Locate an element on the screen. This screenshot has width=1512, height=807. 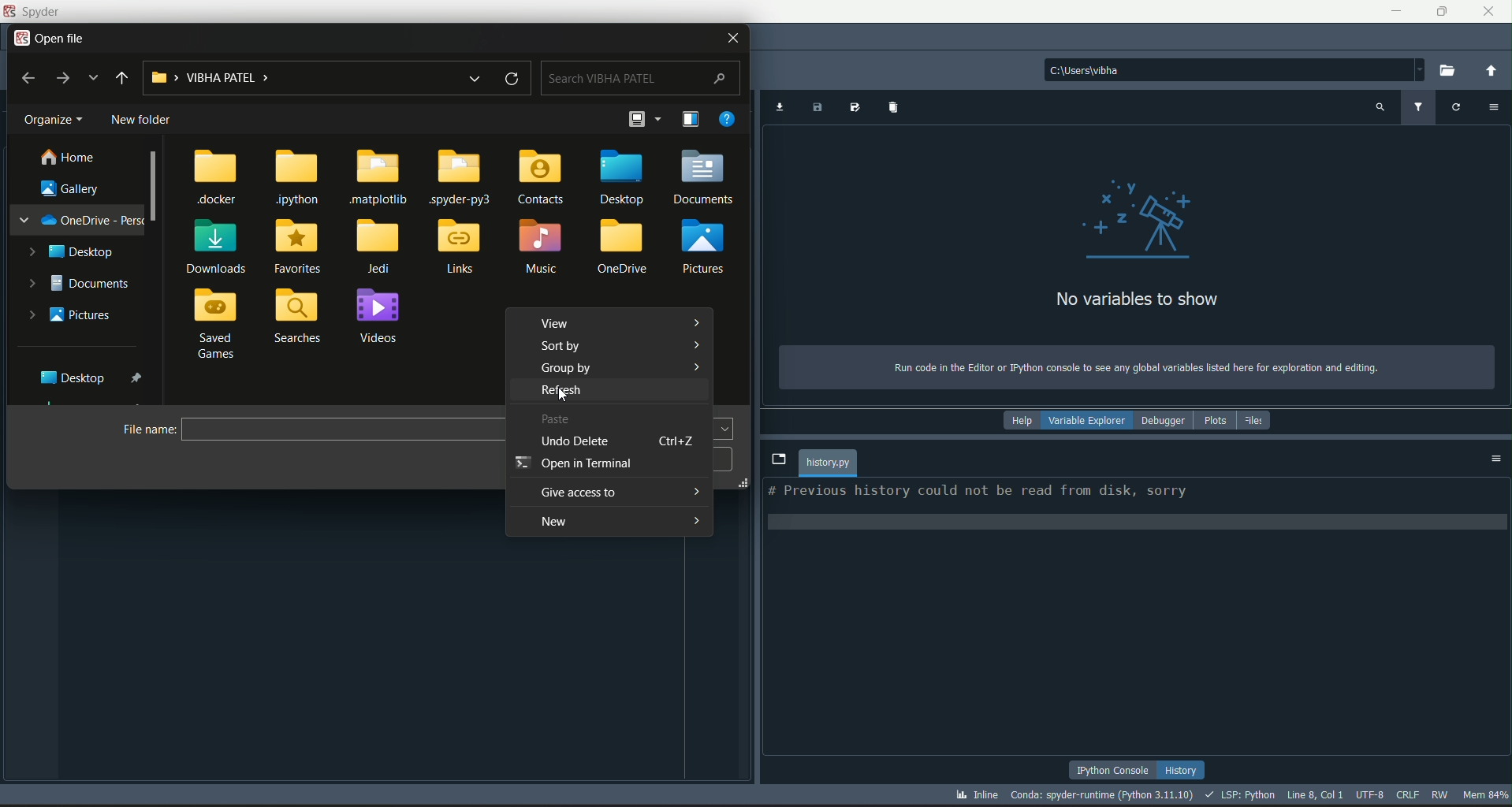
one drive is located at coordinates (82, 220).